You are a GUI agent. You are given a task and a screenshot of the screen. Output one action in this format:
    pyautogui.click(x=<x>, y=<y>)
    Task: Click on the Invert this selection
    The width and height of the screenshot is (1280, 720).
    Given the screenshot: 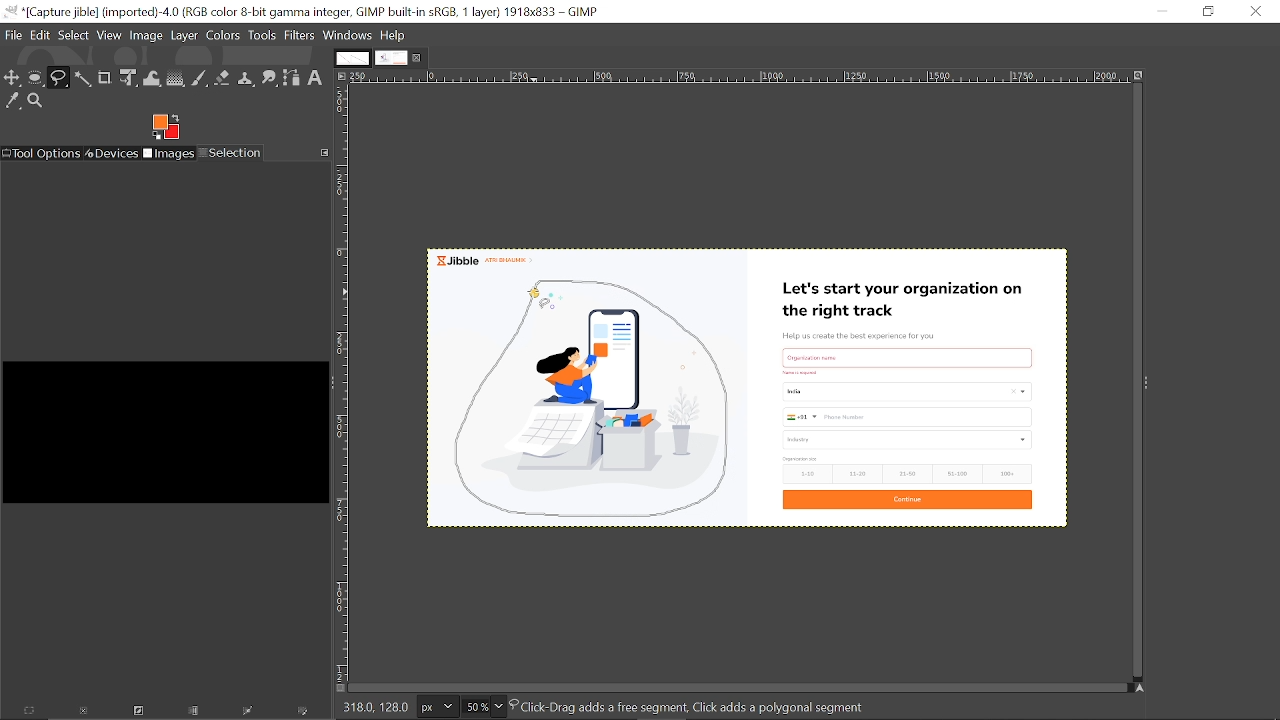 What is the action you would take?
    pyautogui.click(x=135, y=713)
    